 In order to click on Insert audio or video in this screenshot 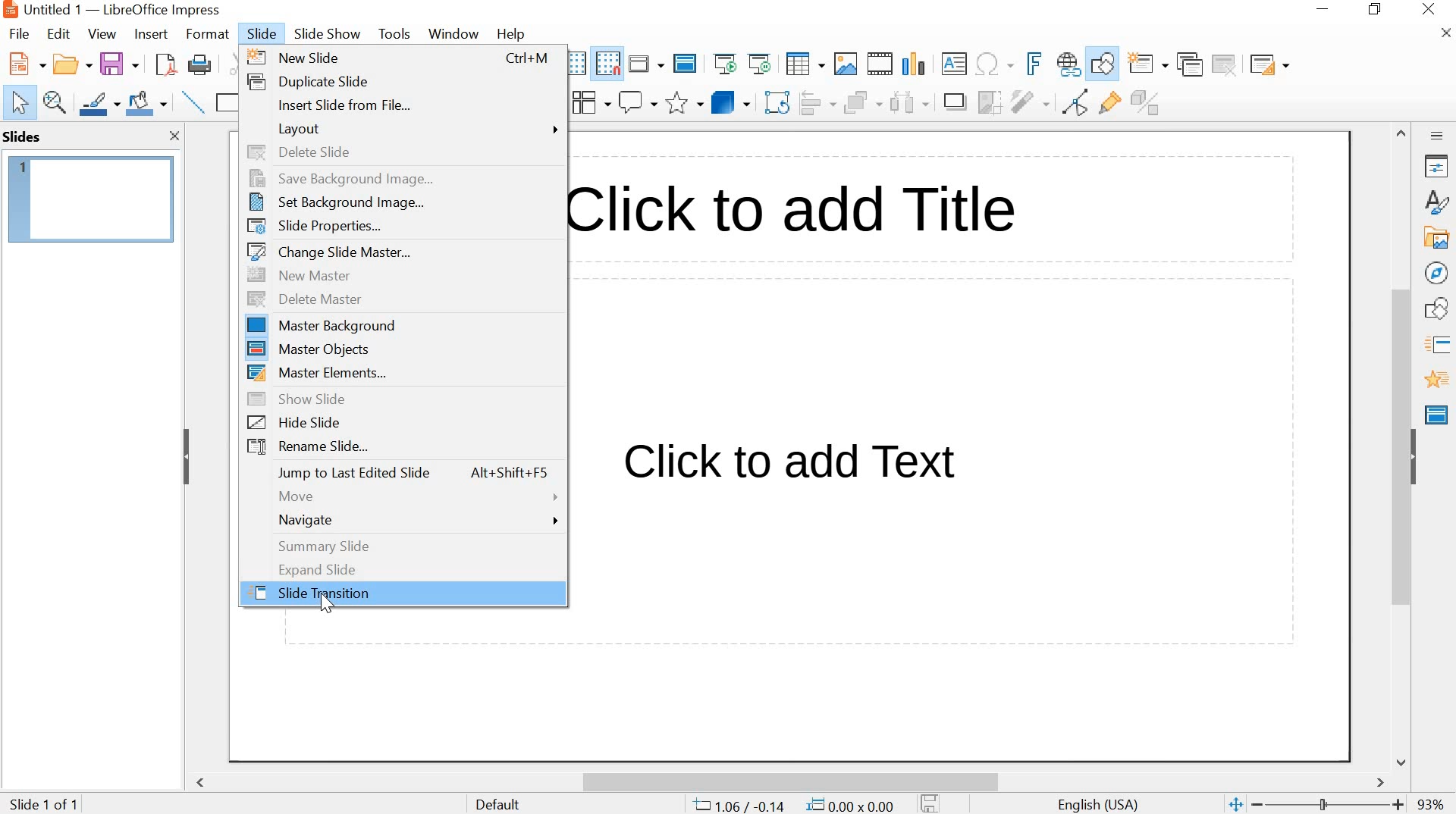, I will do `click(882, 64)`.